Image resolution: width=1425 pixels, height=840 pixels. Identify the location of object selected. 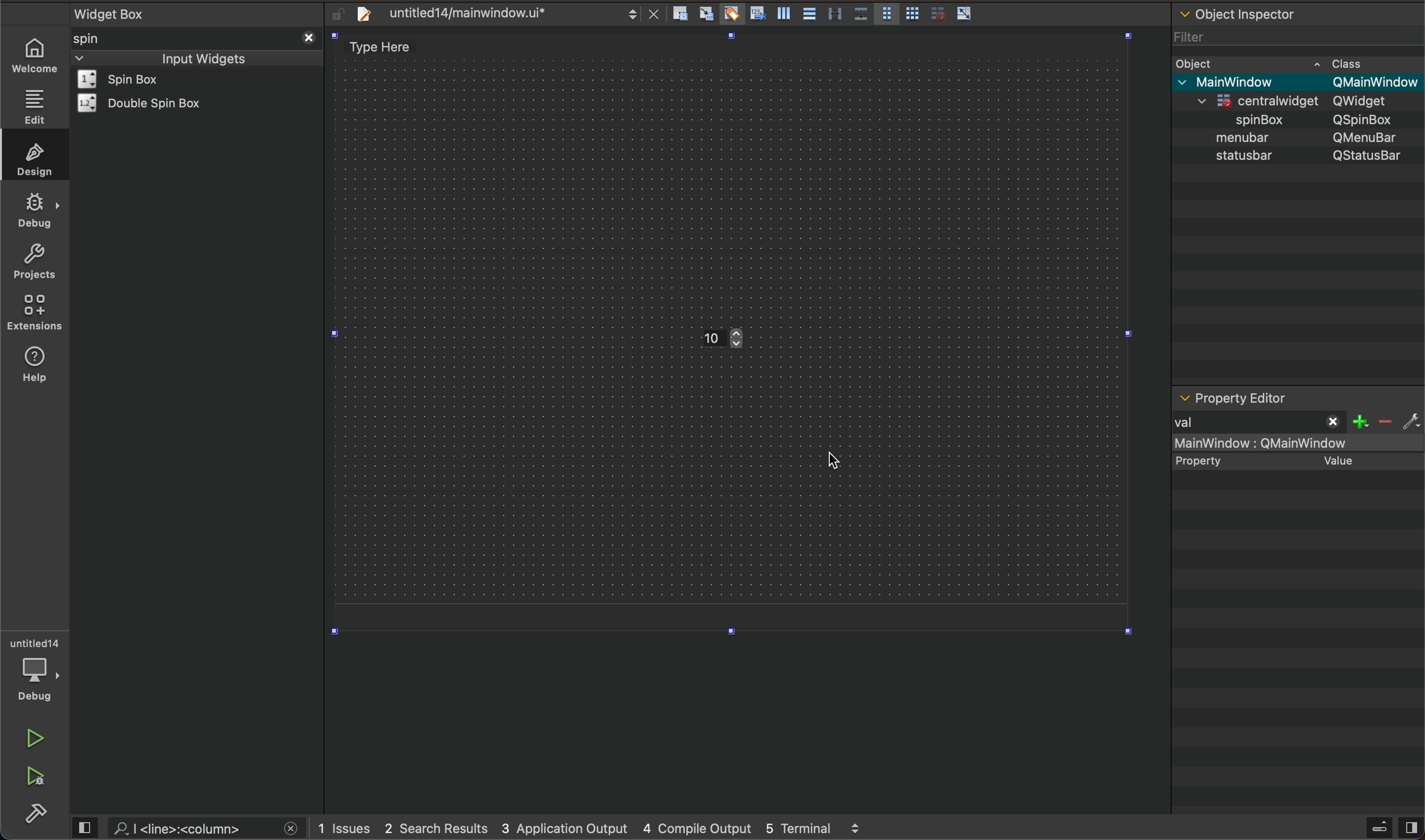
(1296, 444).